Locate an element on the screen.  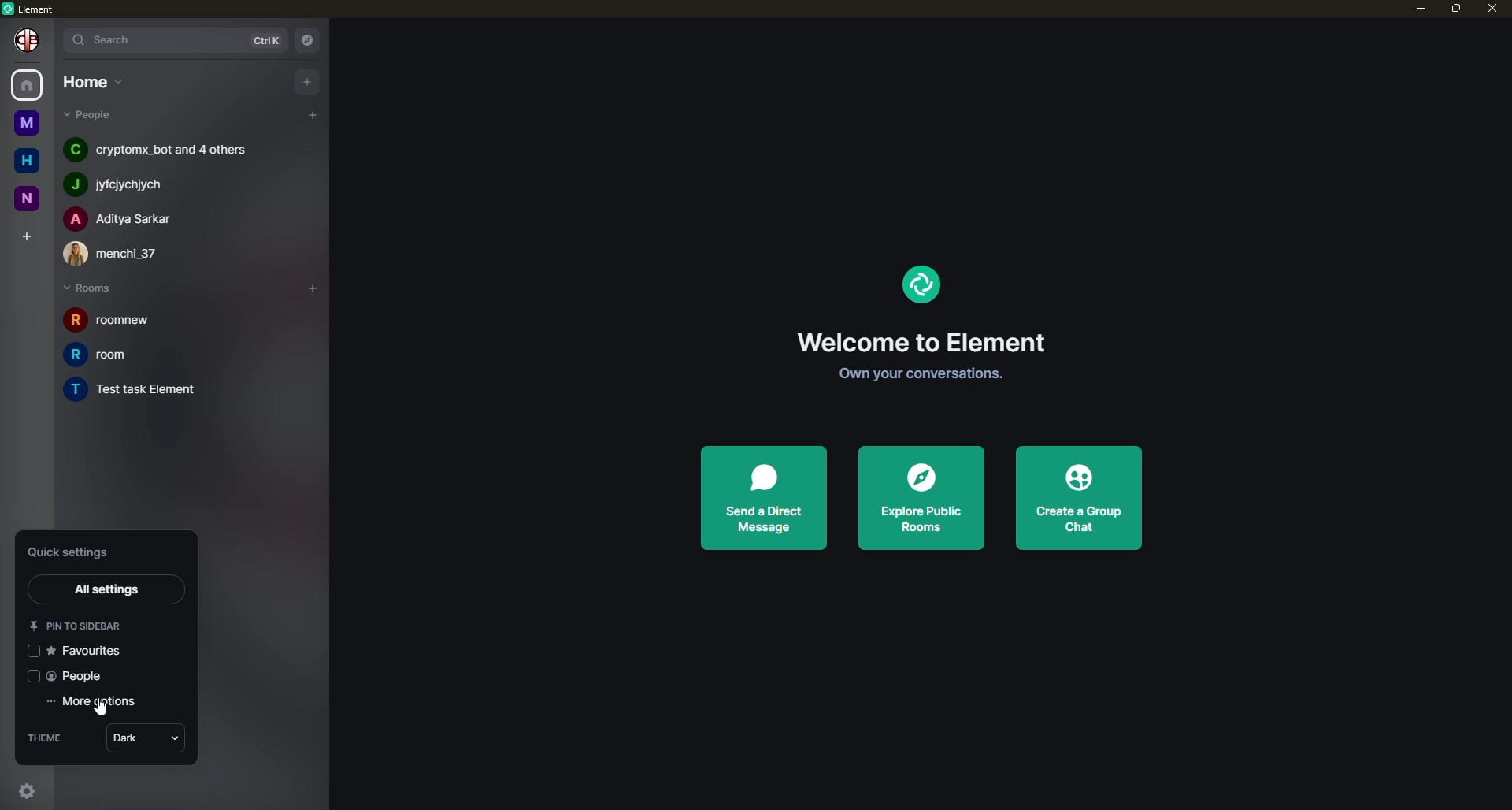
add is located at coordinates (308, 80).